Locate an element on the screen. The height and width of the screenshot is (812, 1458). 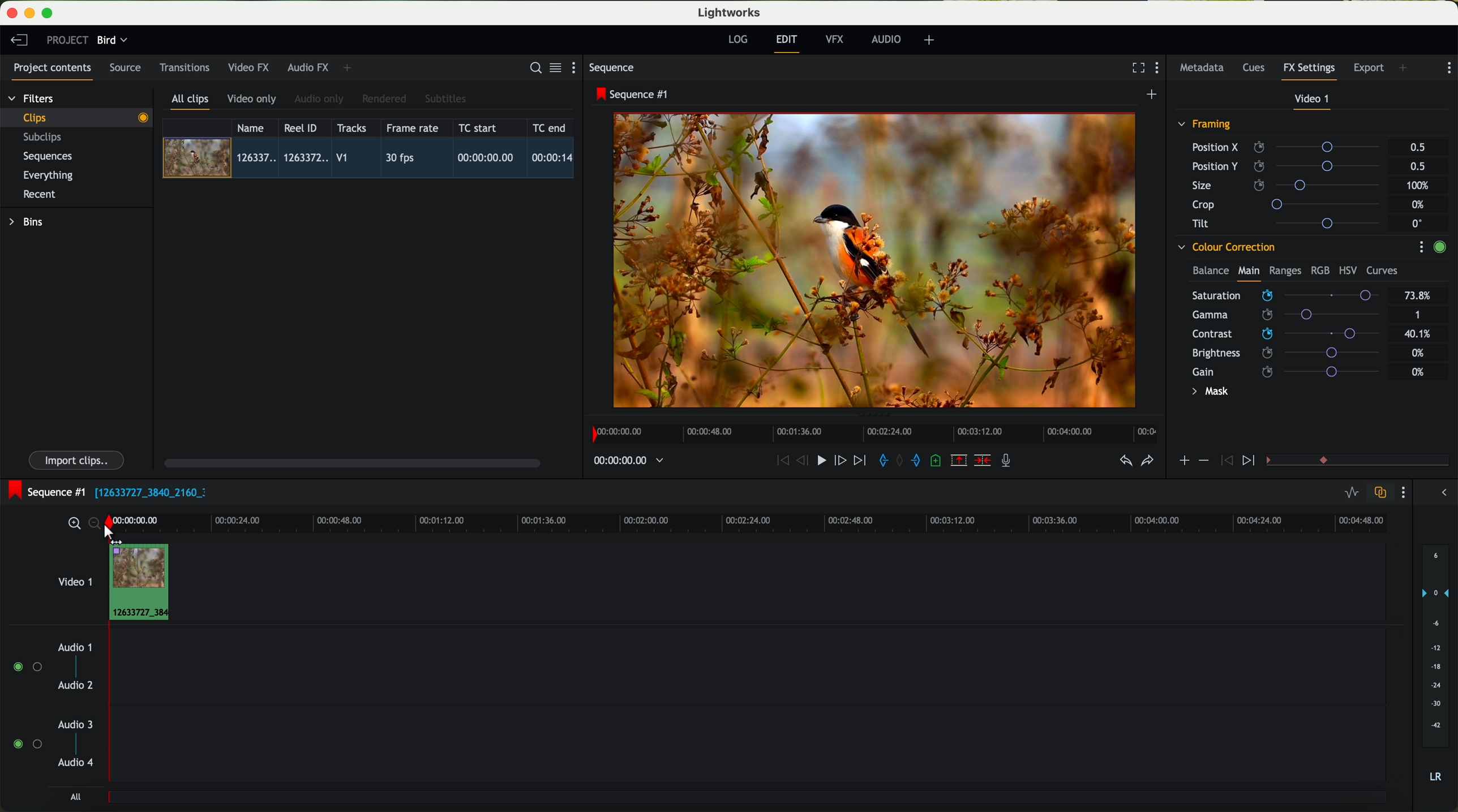
icon is located at coordinates (1203, 461).